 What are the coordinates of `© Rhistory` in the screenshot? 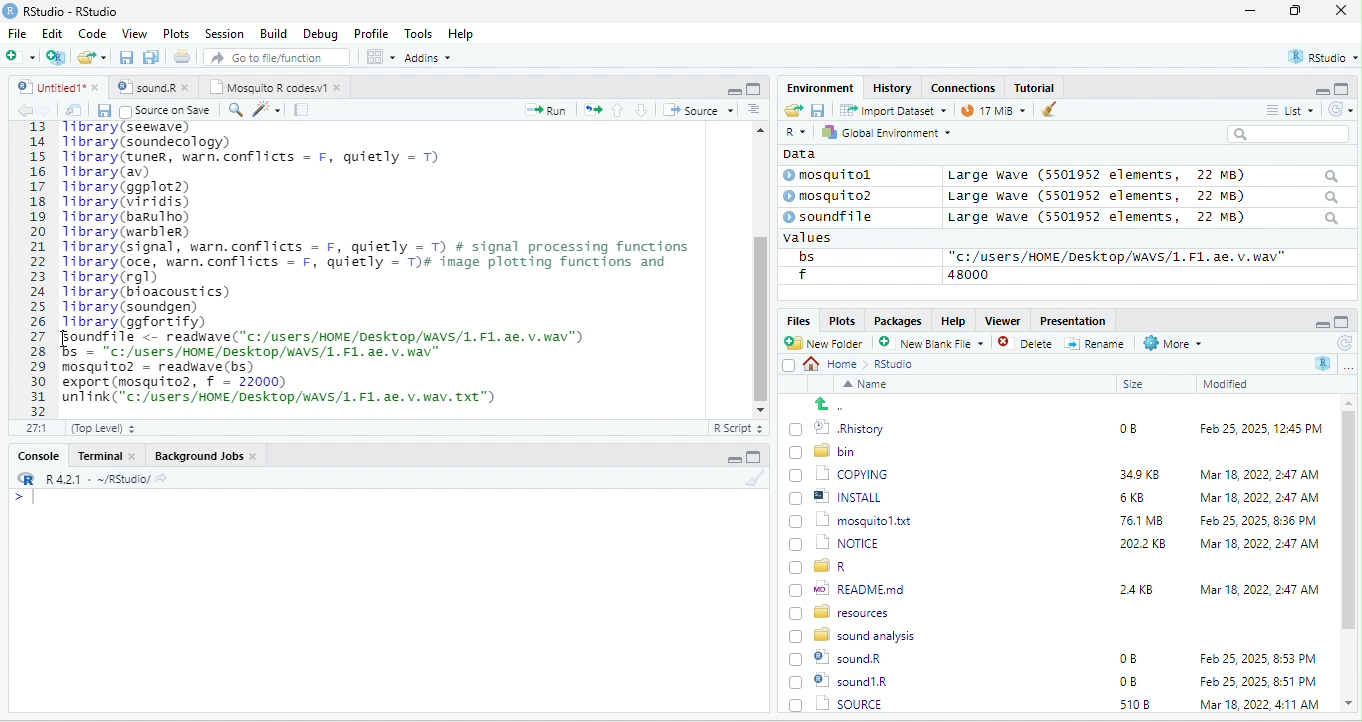 It's located at (838, 426).